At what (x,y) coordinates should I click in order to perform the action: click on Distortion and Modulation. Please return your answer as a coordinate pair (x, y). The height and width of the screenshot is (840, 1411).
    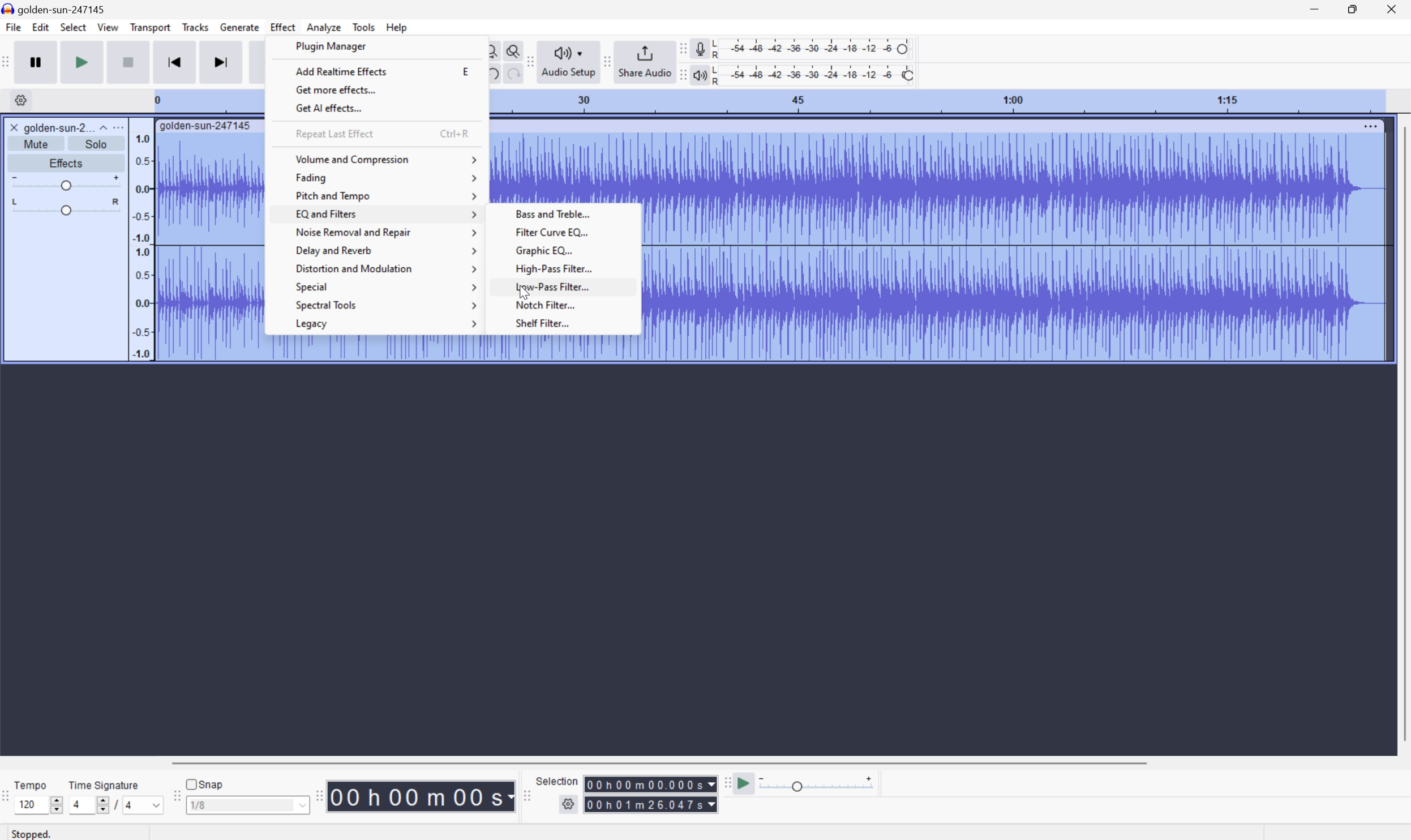
    Looking at the image, I should click on (385, 271).